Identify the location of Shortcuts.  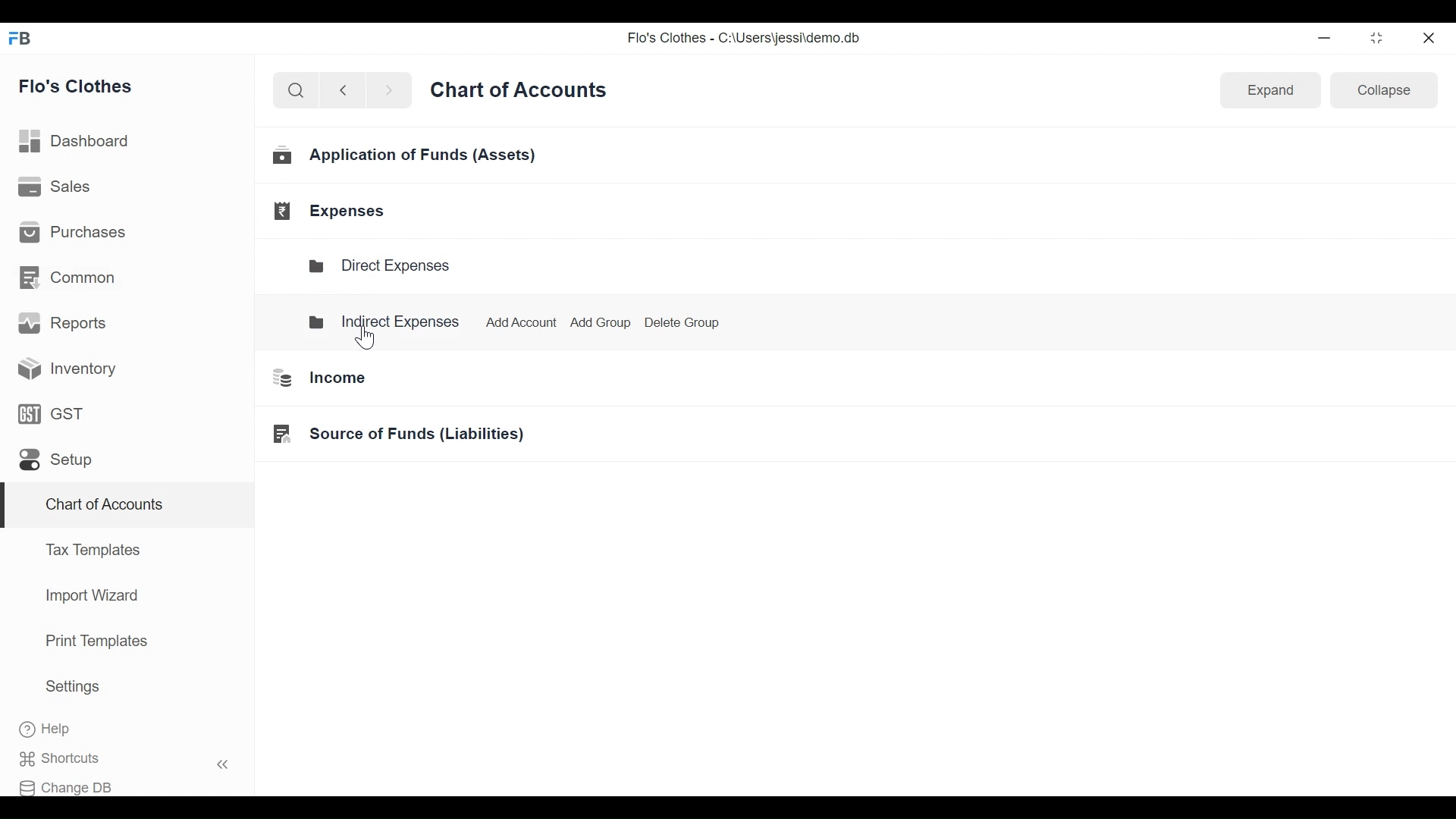
(133, 758).